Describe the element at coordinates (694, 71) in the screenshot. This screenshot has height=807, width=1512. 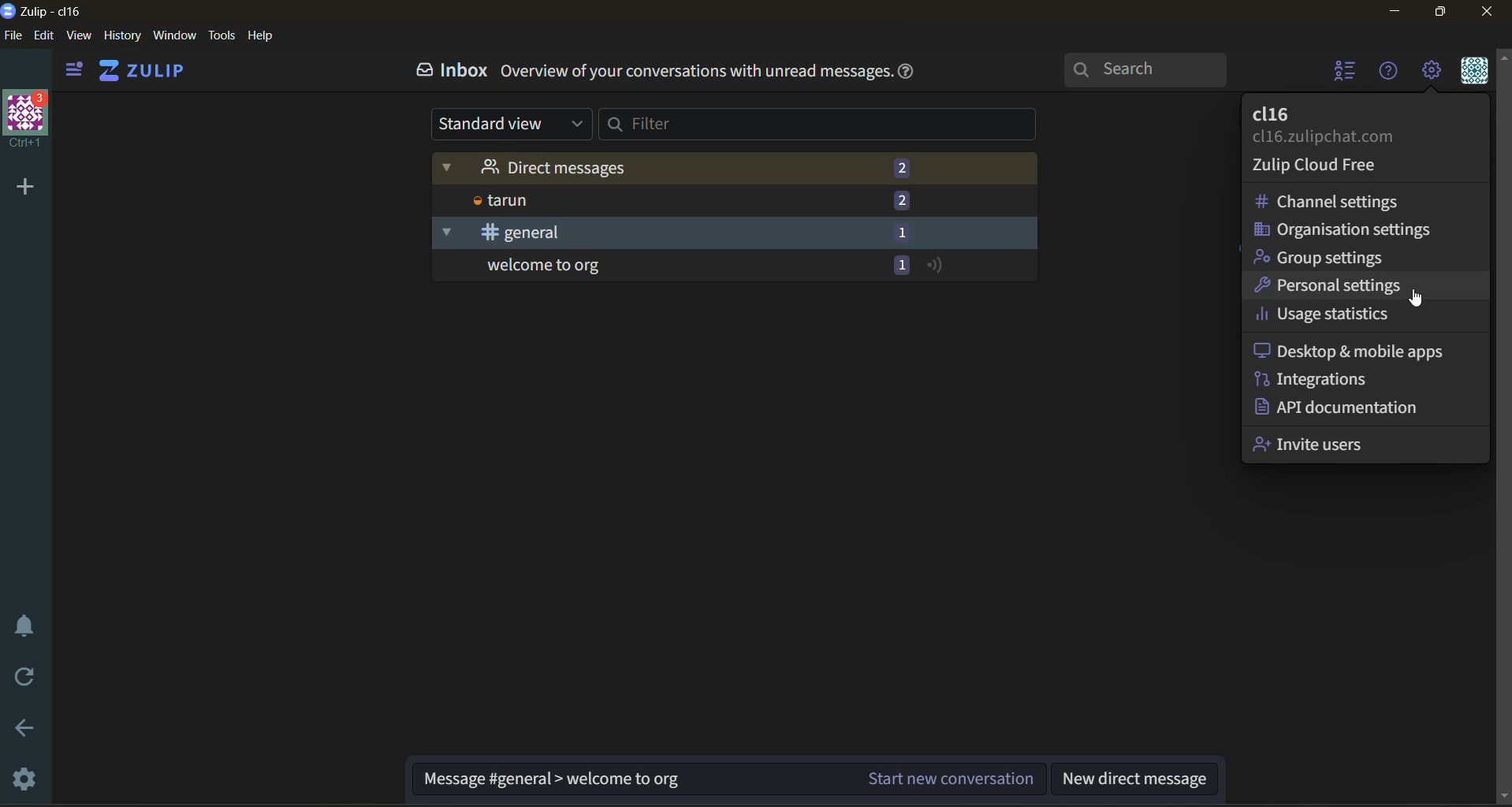
I see `heading` at that location.